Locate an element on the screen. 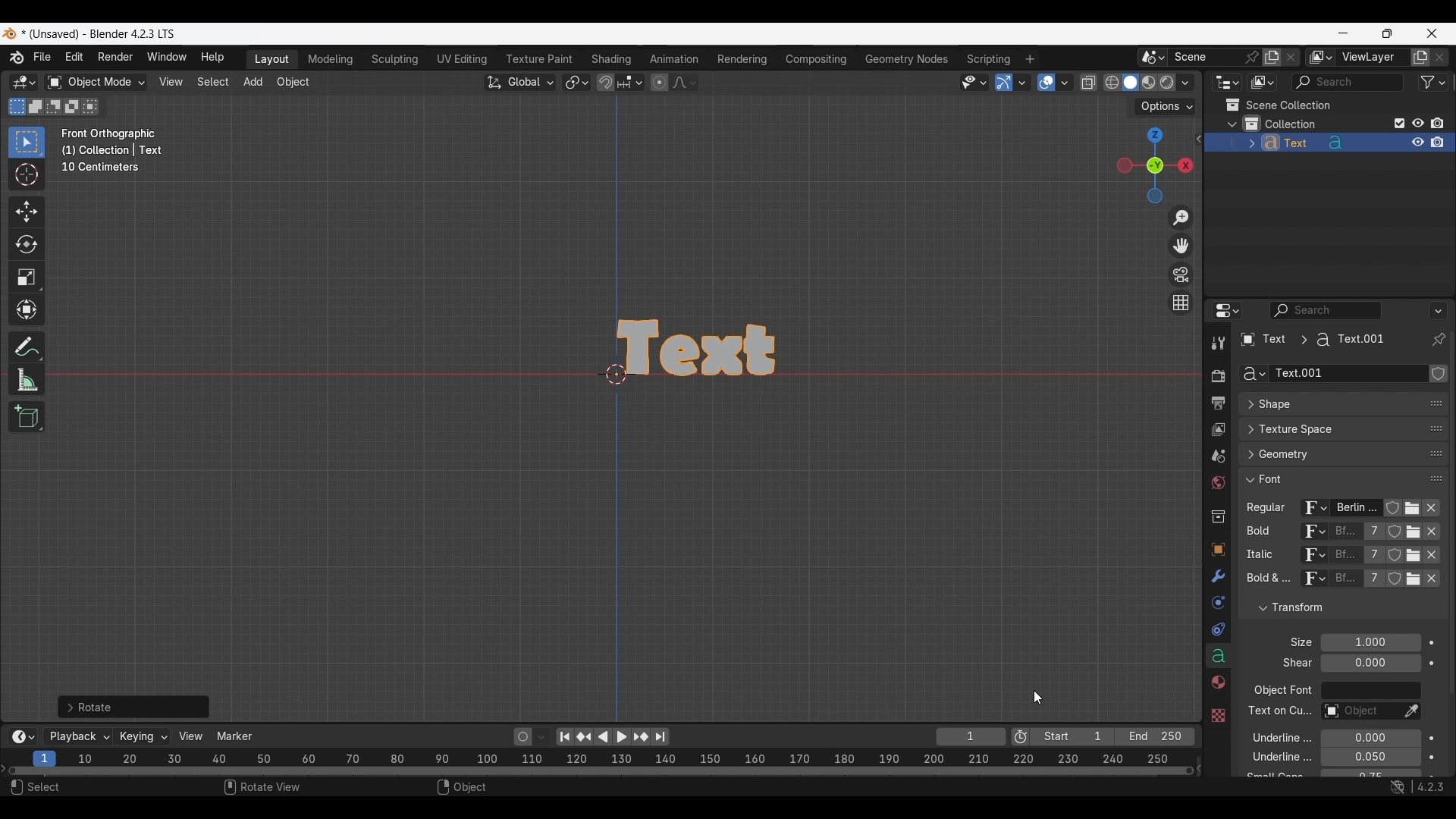  Browse ID data is located at coordinates (1311, 582).